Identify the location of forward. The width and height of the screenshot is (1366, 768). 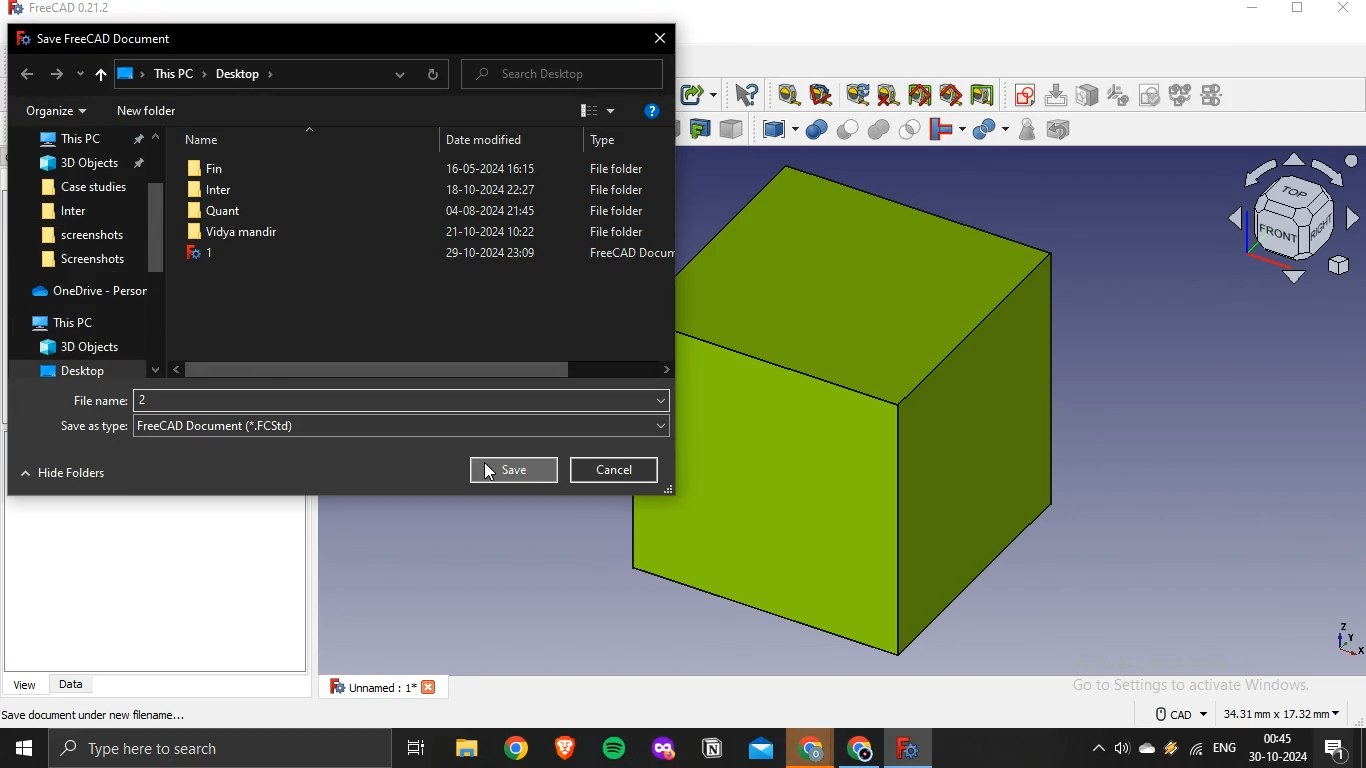
(55, 75).